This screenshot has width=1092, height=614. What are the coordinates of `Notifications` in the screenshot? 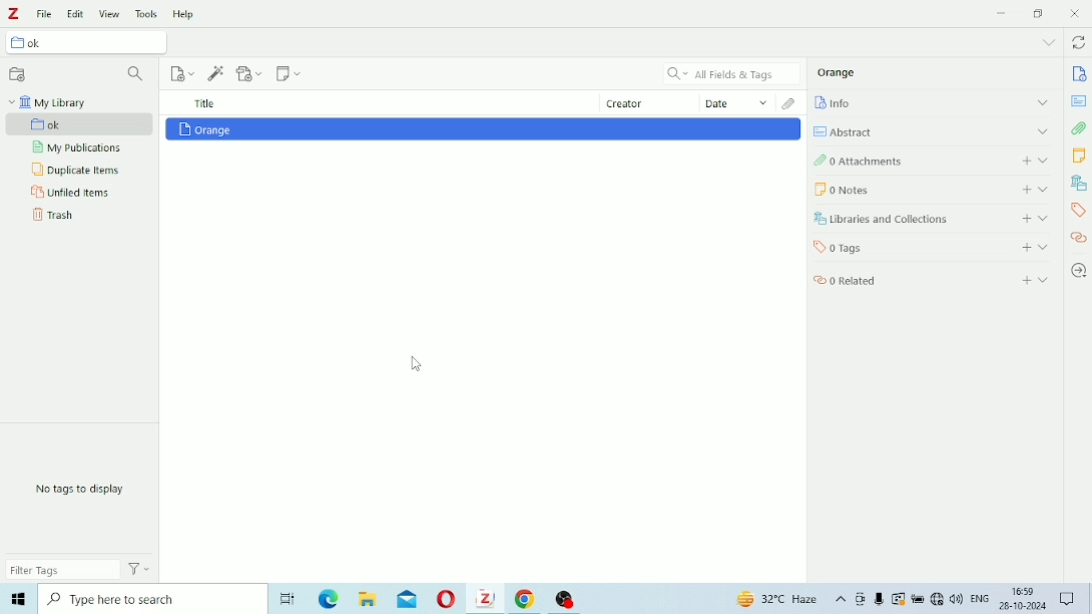 It's located at (1069, 600).